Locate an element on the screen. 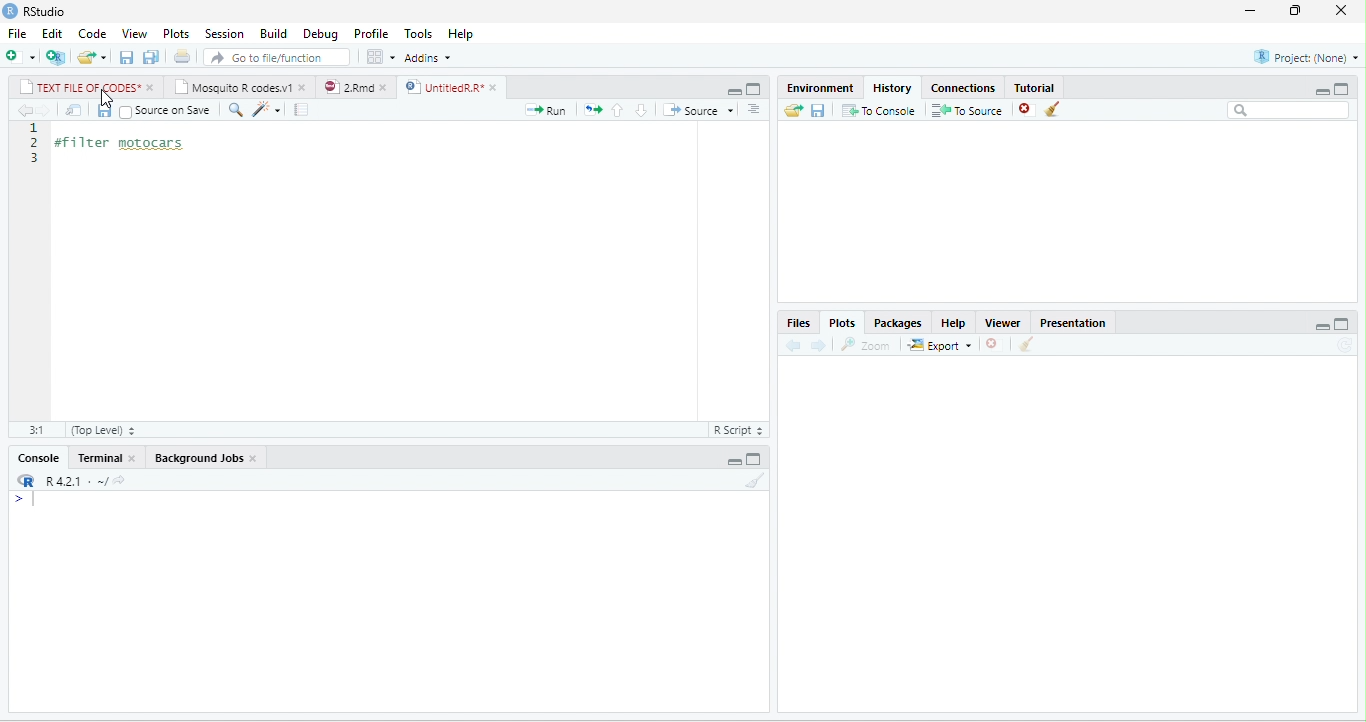 The image size is (1366, 722). new project is located at coordinates (55, 57).